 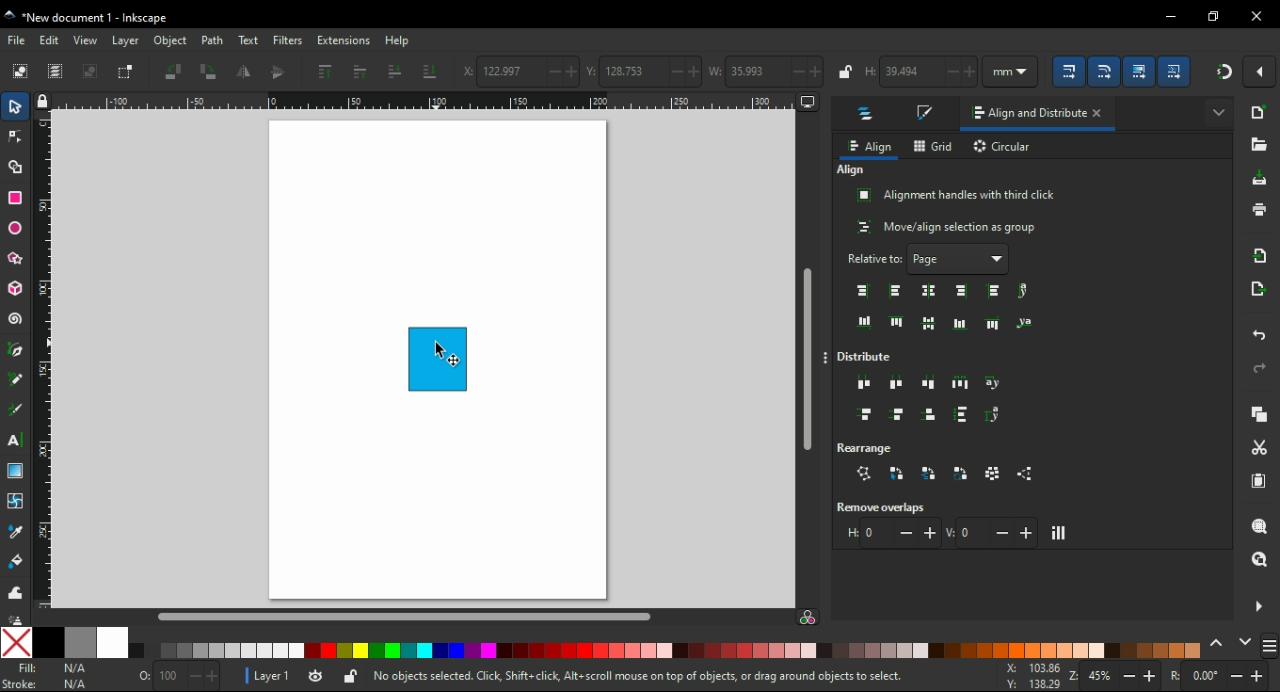 I want to click on calligraphy tool, so click(x=16, y=408).